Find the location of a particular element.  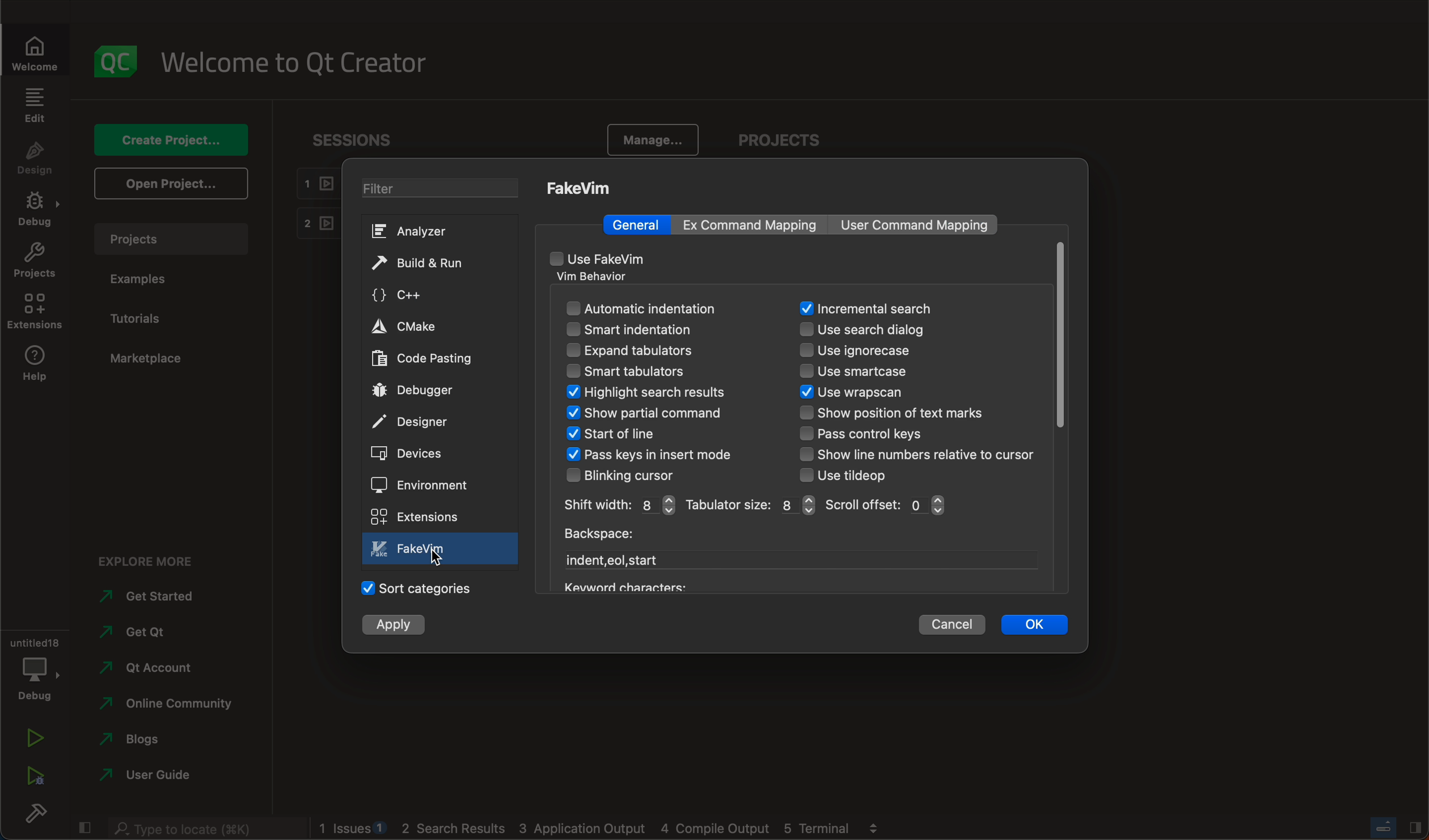

fake vim is located at coordinates (442, 549).